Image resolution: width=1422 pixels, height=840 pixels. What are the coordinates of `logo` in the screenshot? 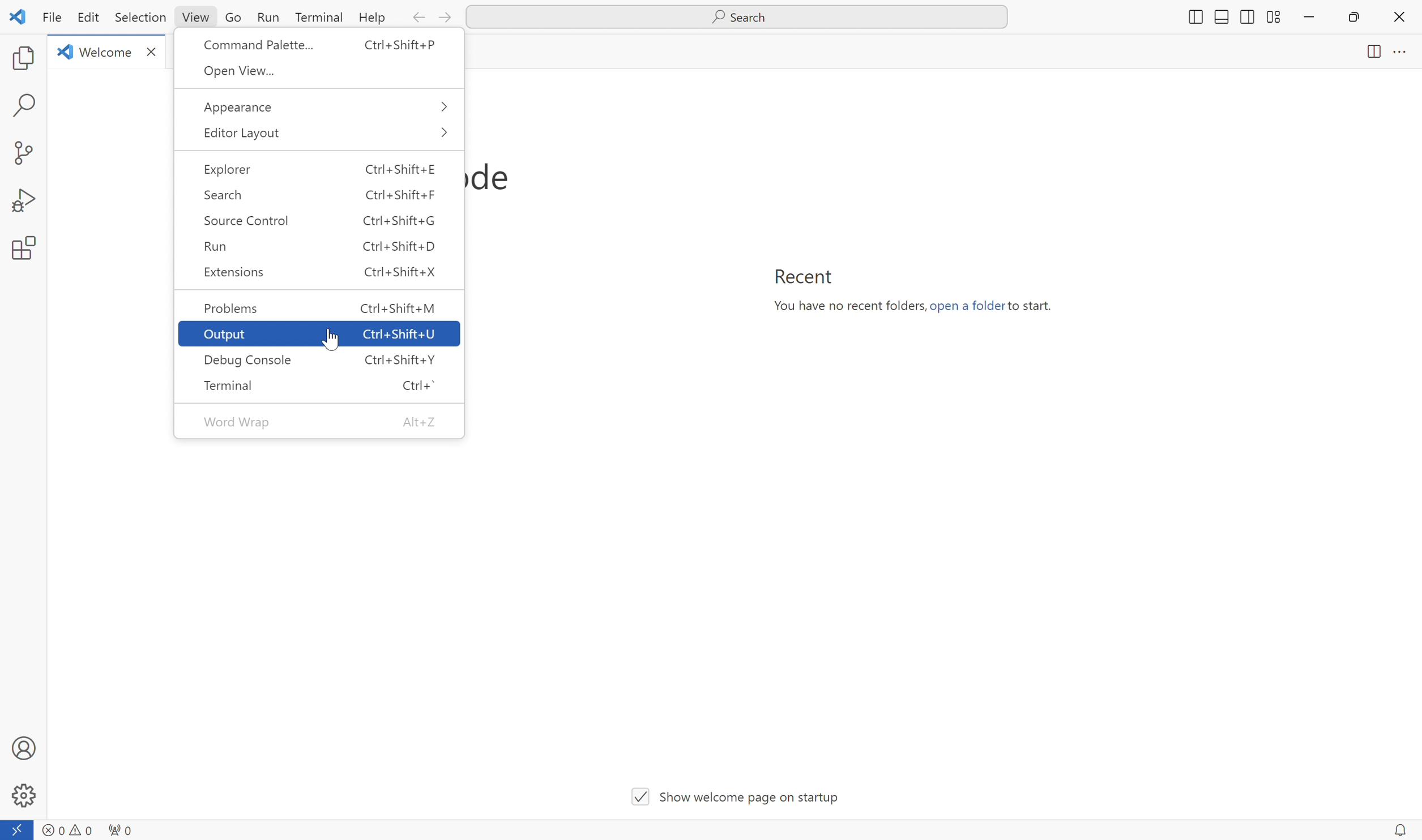 It's located at (61, 55).